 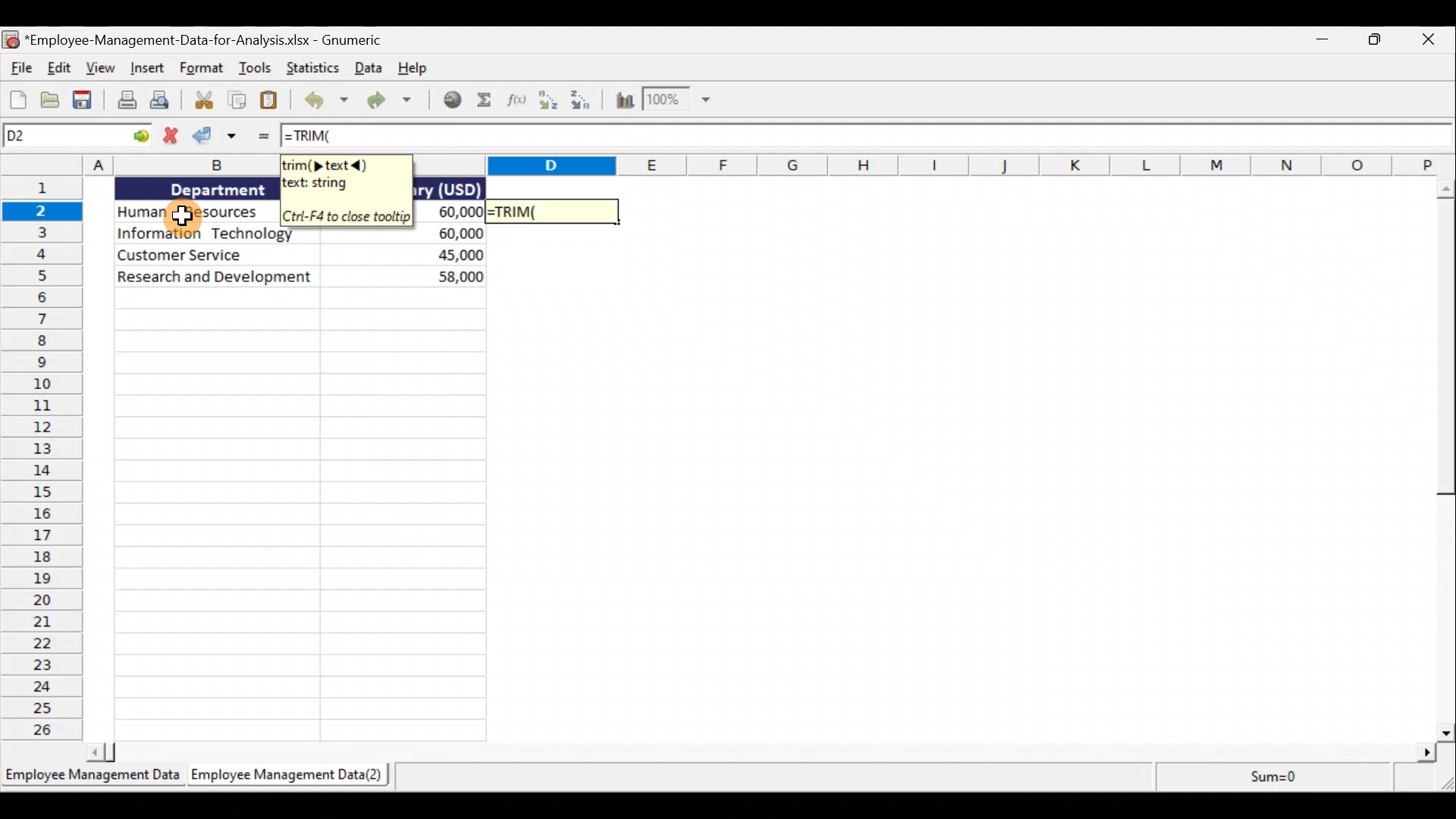 I want to click on Data, so click(x=367, y=68).